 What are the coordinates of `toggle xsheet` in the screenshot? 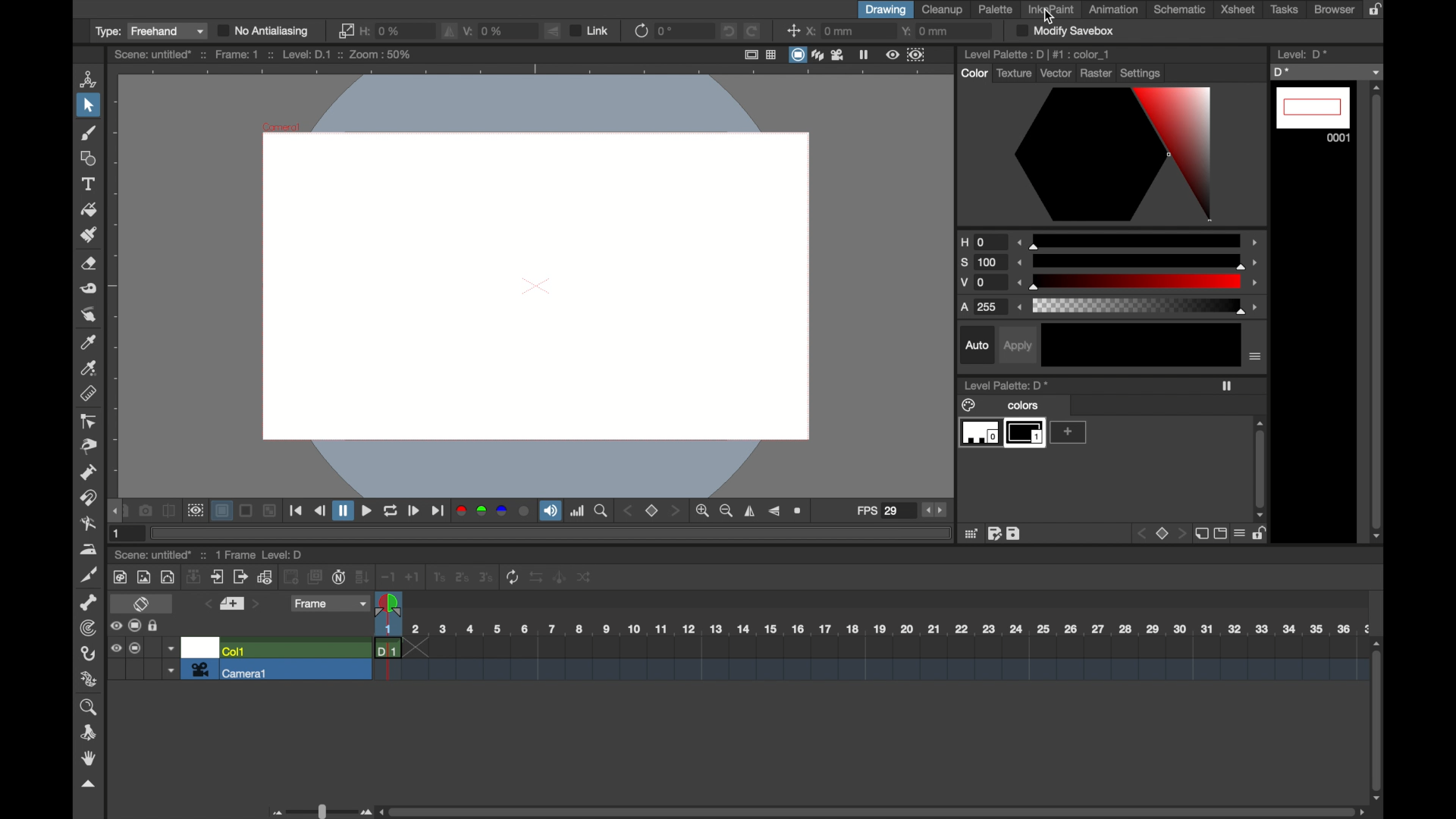 It's located at (141, 604).